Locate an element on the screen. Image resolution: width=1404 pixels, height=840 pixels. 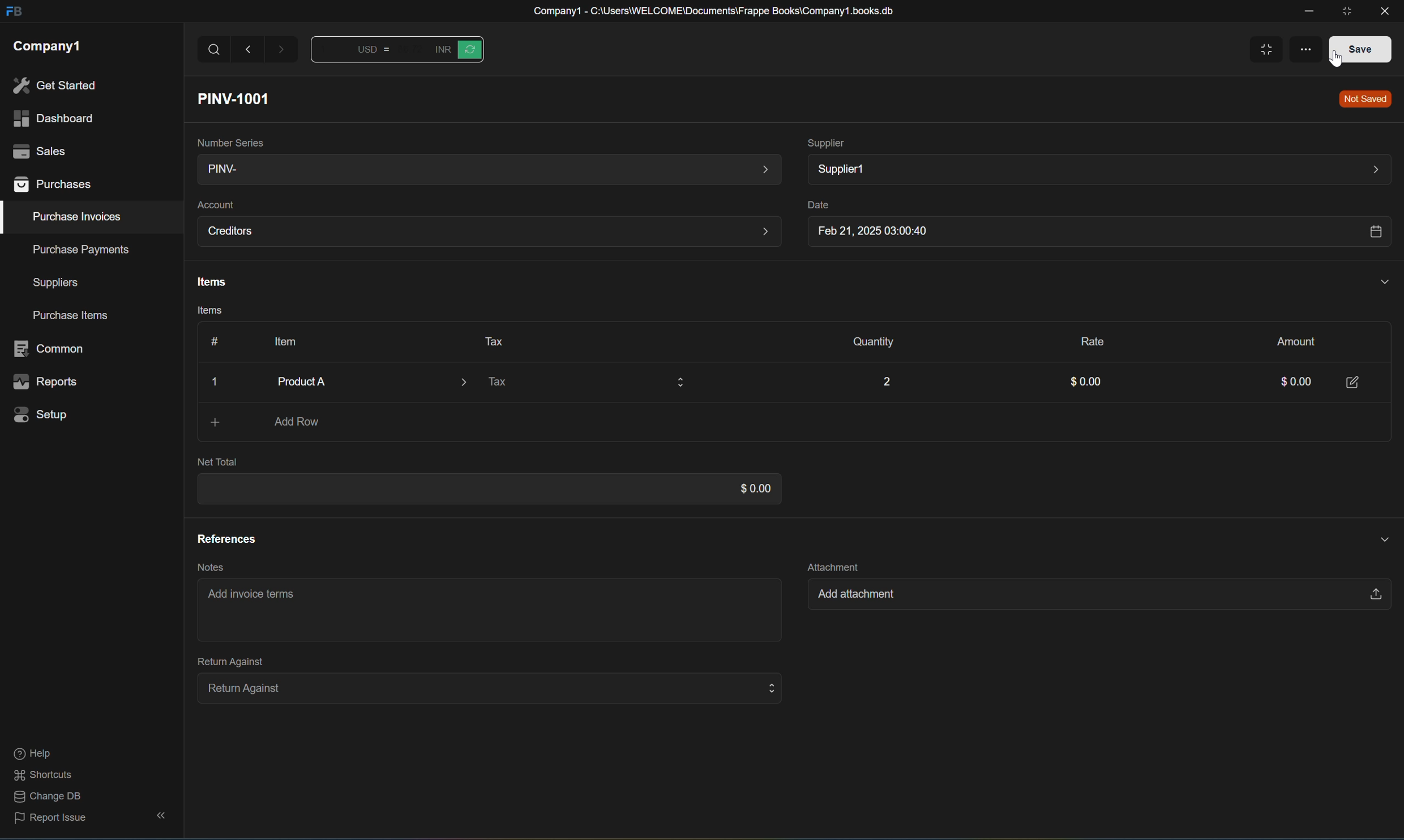
Supplier1 is located at coordinates (1097, 169).